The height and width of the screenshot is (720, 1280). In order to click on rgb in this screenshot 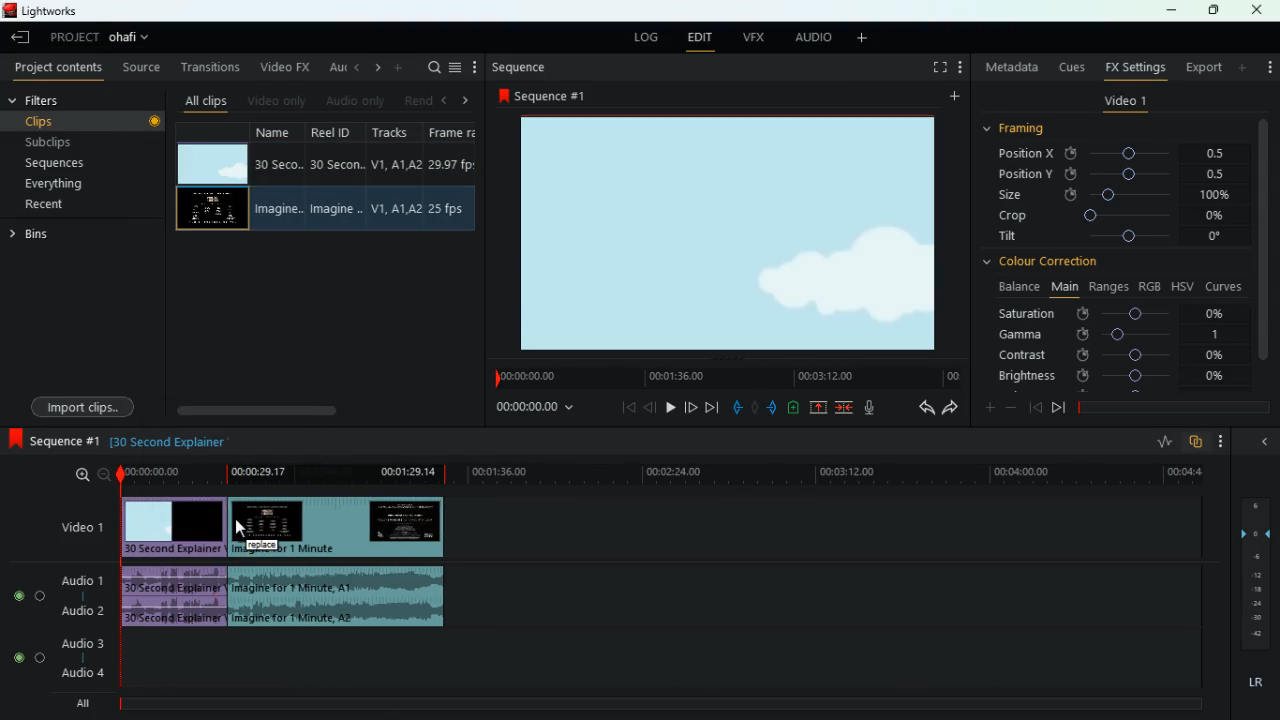, I will do `click(1150, 285)`.